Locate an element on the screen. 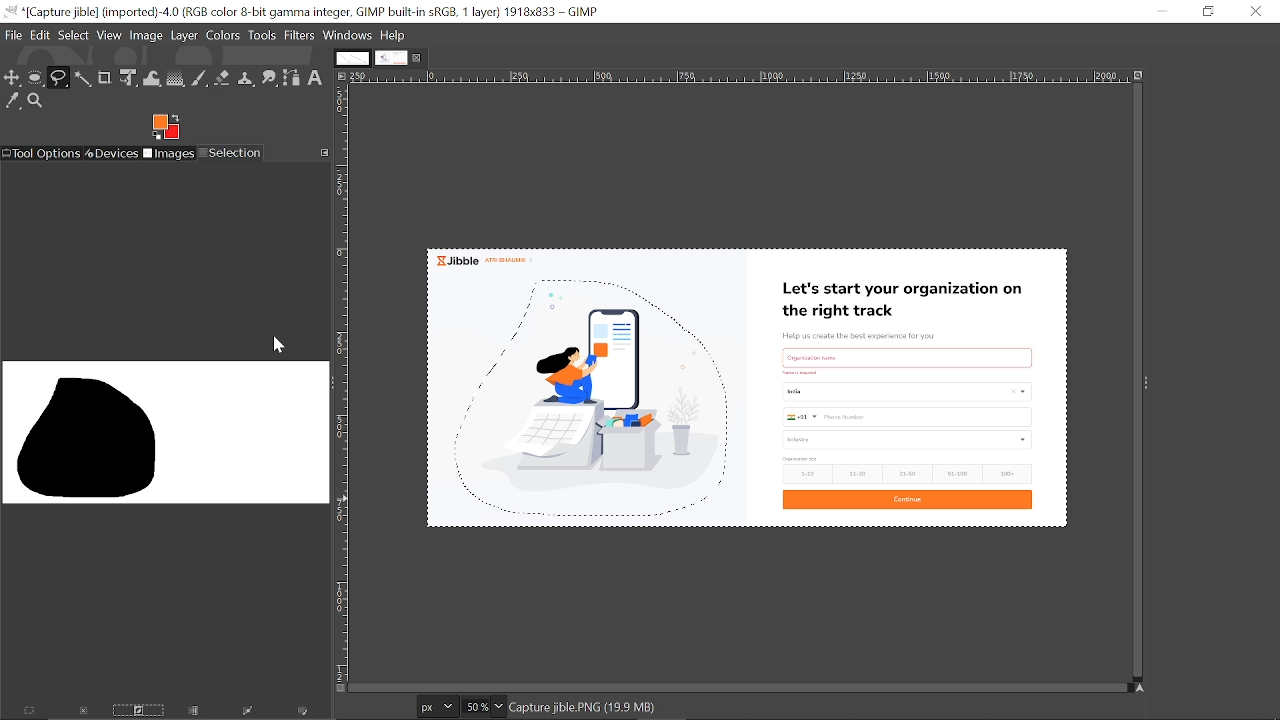 Image resolution: width=1280 pixels, height=720 pixels. Crop tool is located at coordinates (105, 78).